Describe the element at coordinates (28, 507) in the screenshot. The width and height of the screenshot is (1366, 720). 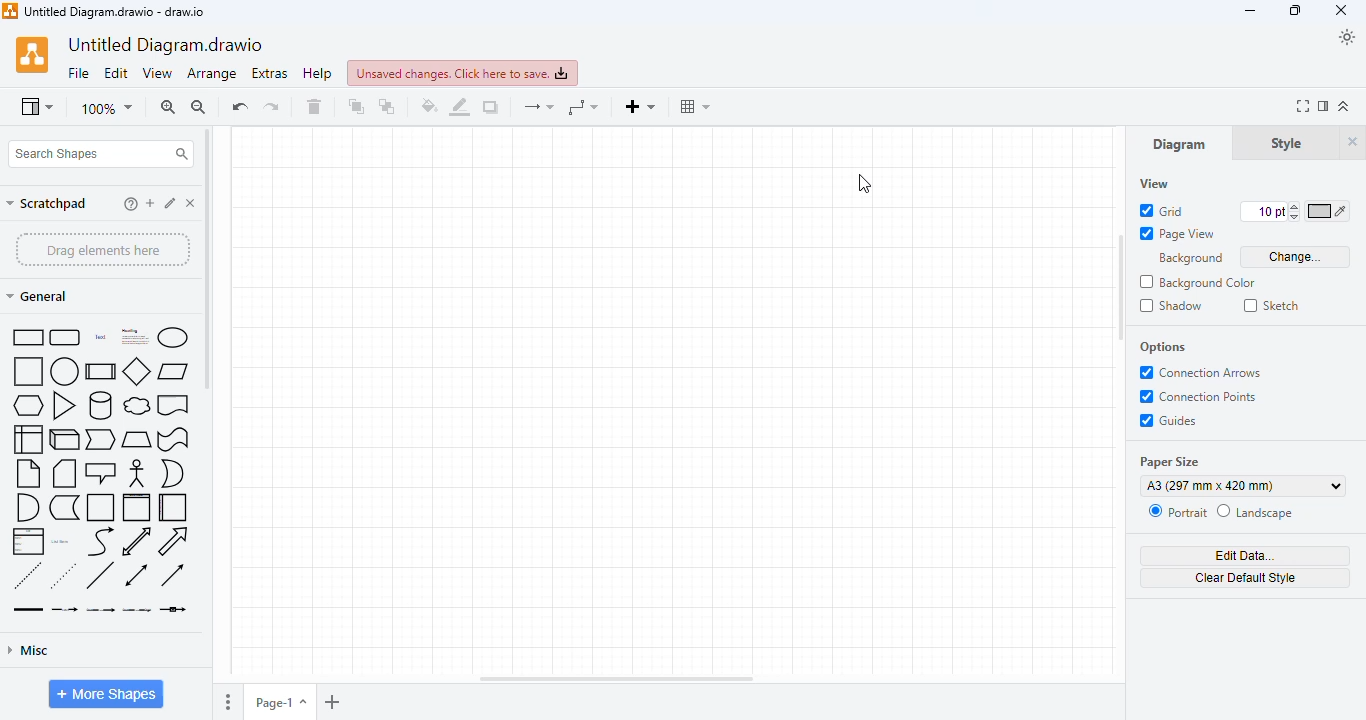
I see `and` at that location.